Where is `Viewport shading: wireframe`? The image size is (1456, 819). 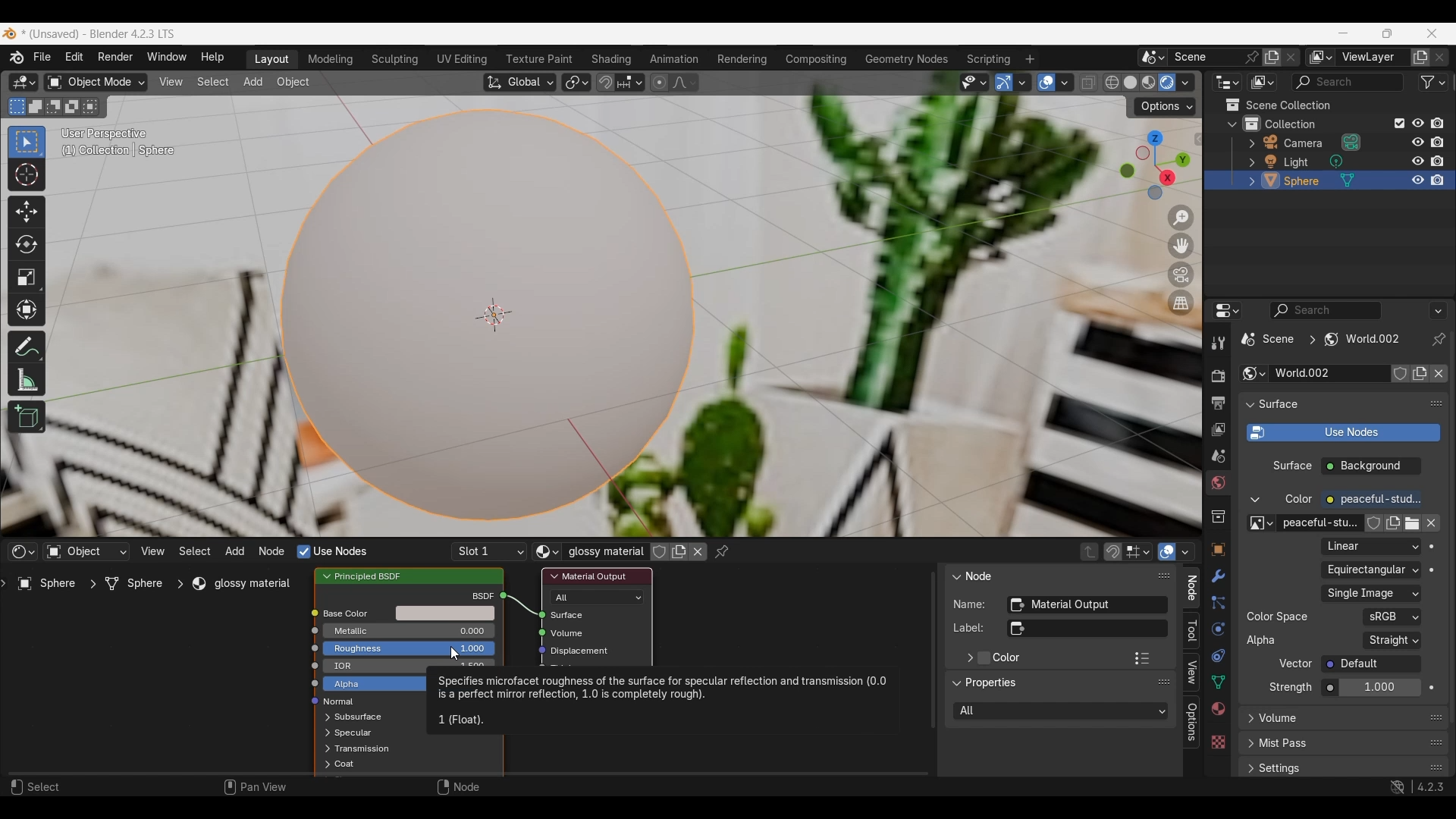
Viewport shading: wireframe is located at coordinates (1112, 83).